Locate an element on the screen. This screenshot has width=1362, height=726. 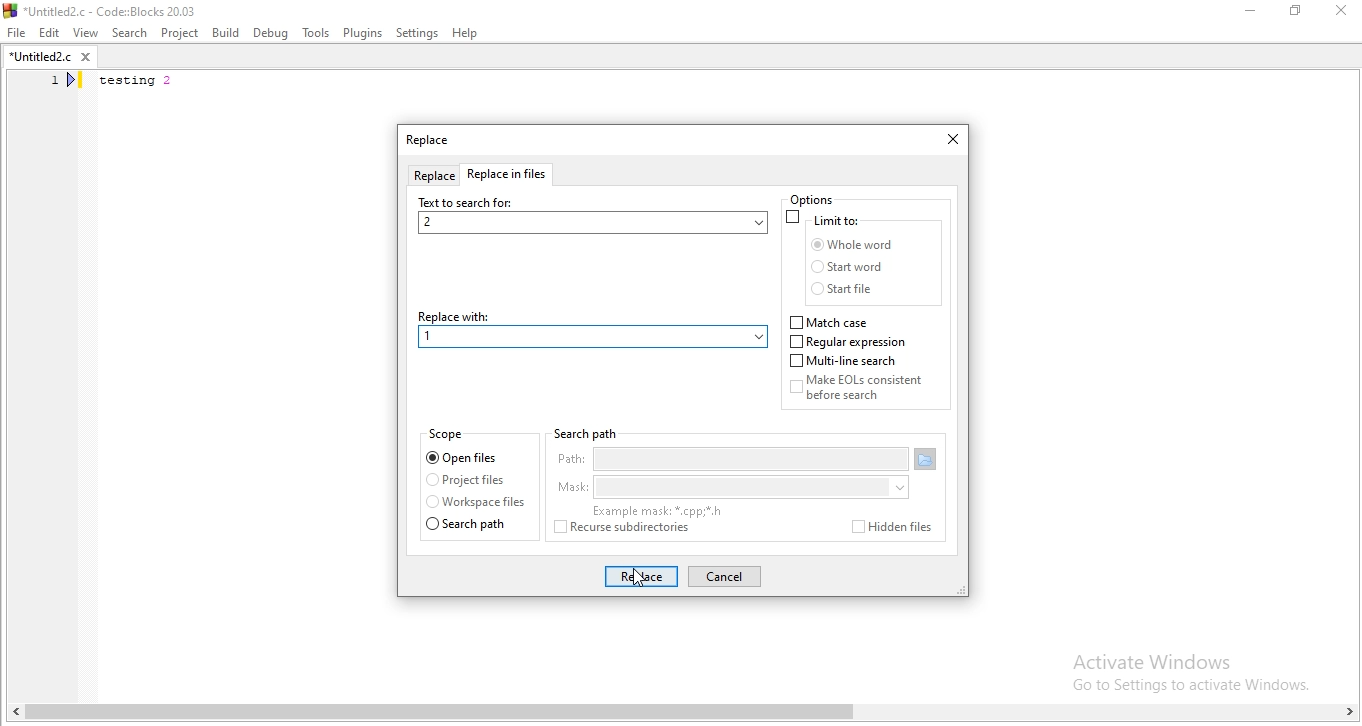
scope is located at coordinates (449, 435).